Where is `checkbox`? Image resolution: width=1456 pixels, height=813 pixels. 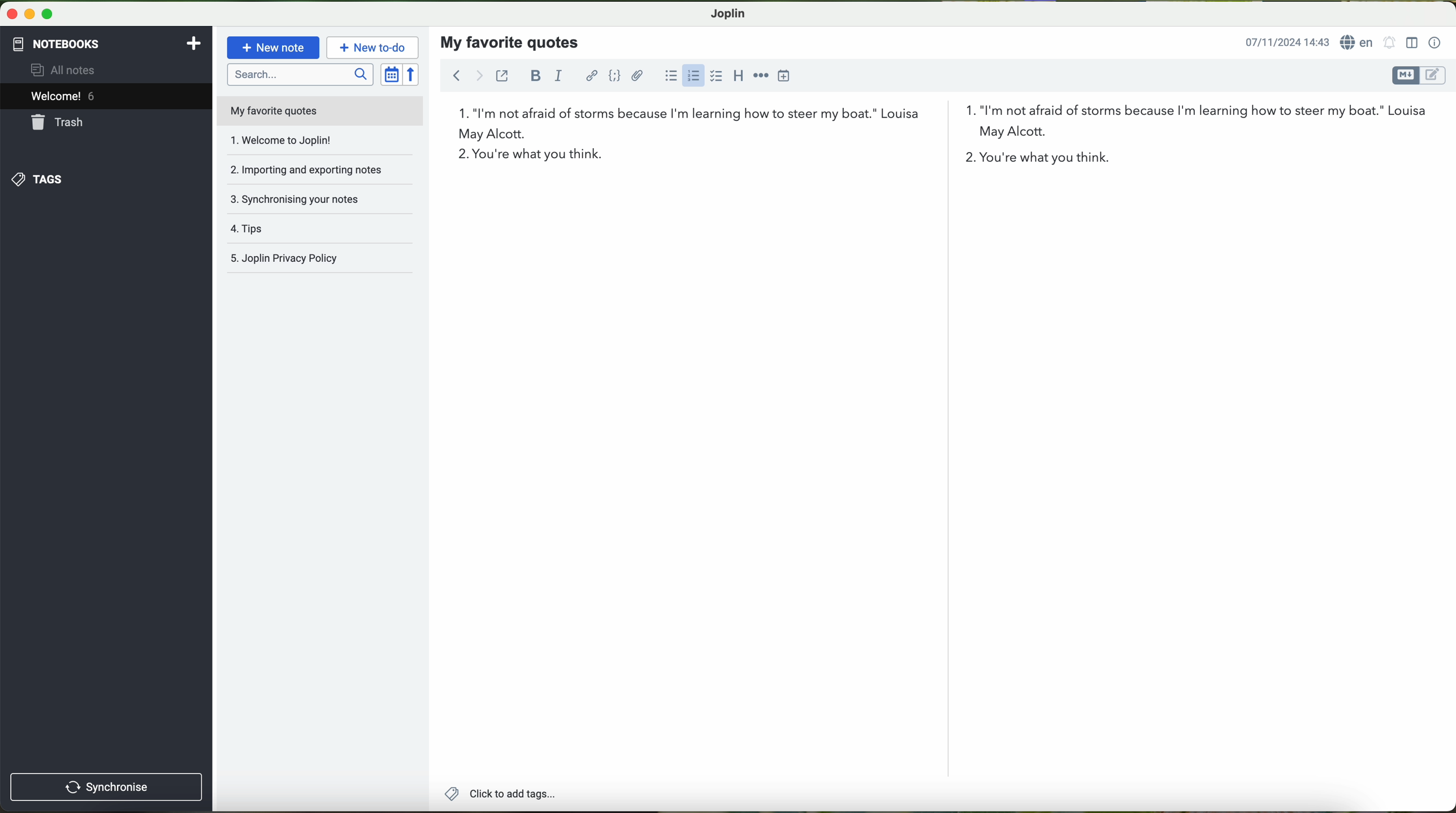 checkbox is located at coordinates (716, 77).